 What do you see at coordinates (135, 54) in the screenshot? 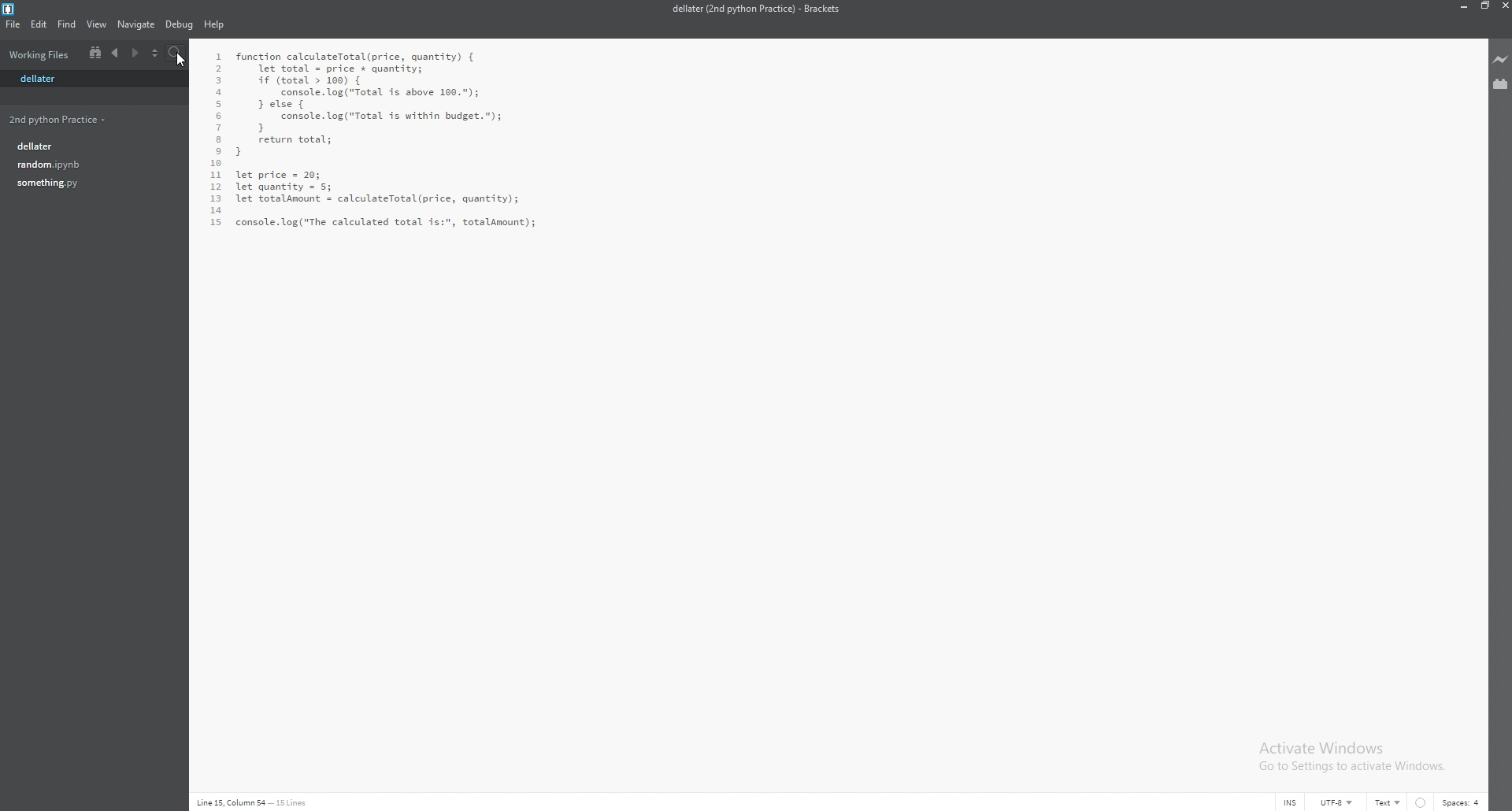
I see `next` at bounding box center [135, 54].